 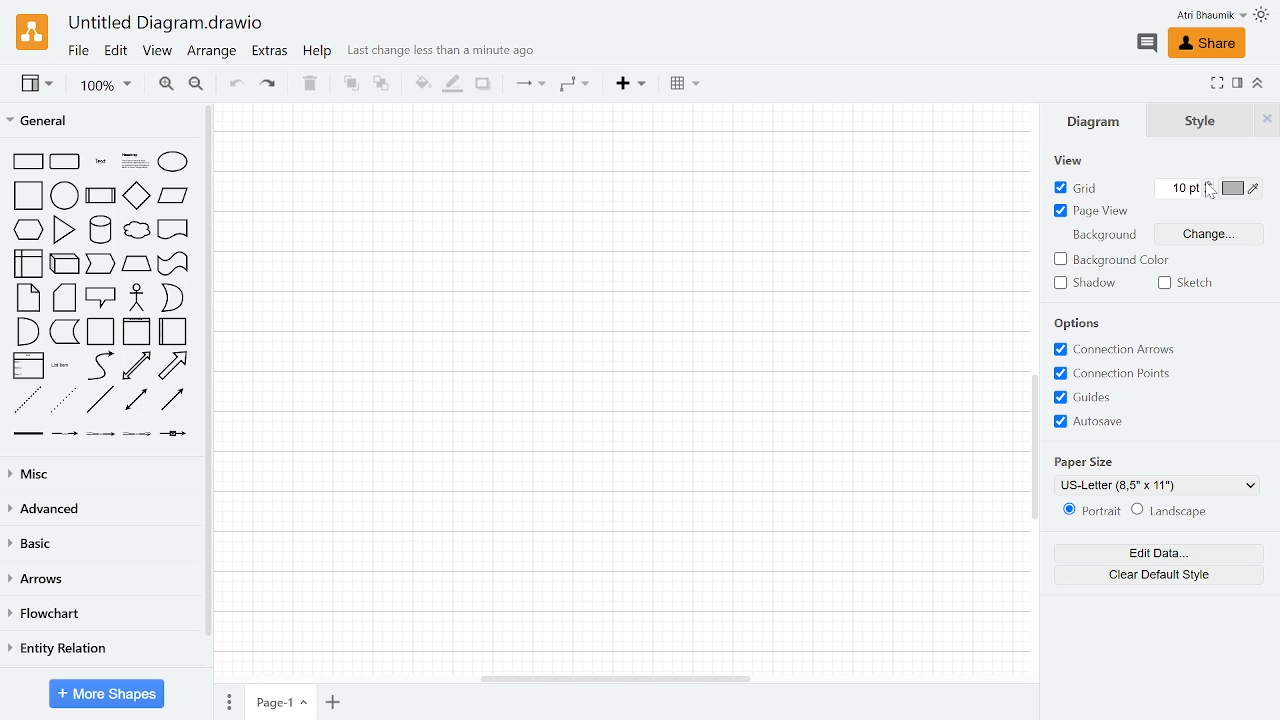 What do you see at coordinates (272, 52) in the screenshot?
I see `Extras` at bounding box center [272, 52].